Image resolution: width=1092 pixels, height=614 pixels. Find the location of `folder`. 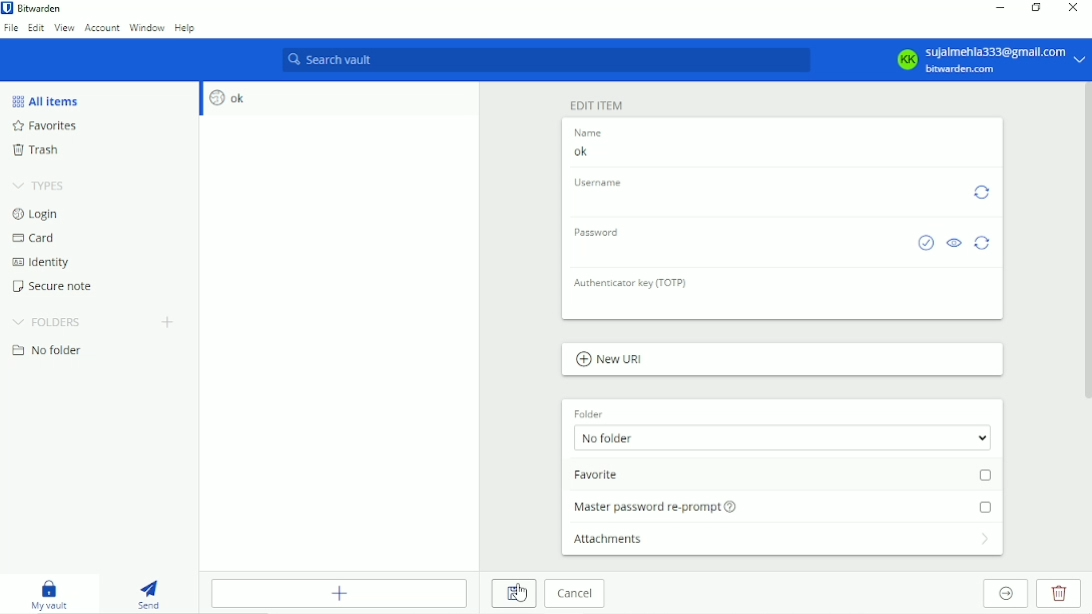

folder is located at coordinates (589, 414).